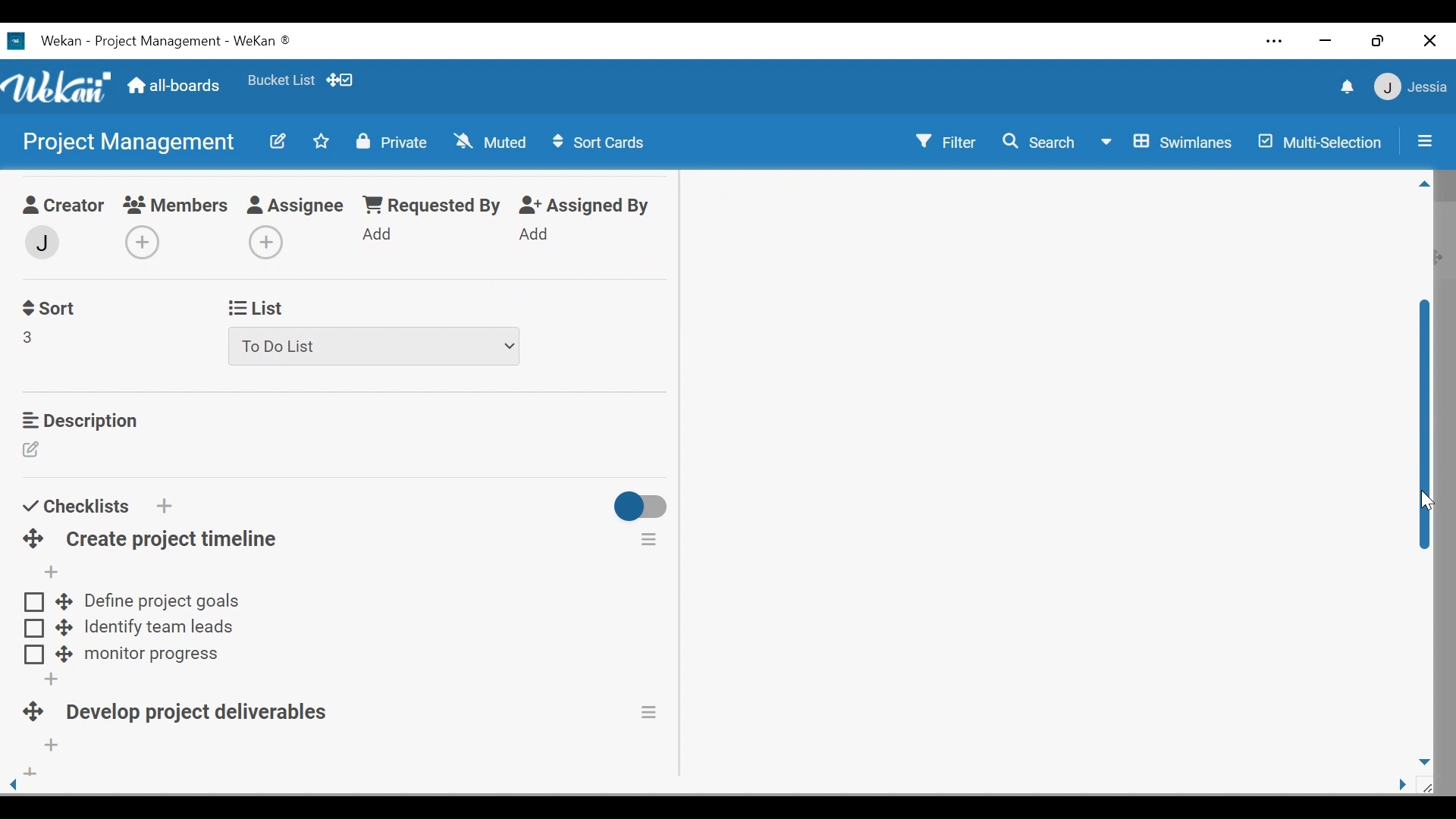  Describe the element at coordinates (158, 629) in the screenshot. I see `Checklist item` at that location.